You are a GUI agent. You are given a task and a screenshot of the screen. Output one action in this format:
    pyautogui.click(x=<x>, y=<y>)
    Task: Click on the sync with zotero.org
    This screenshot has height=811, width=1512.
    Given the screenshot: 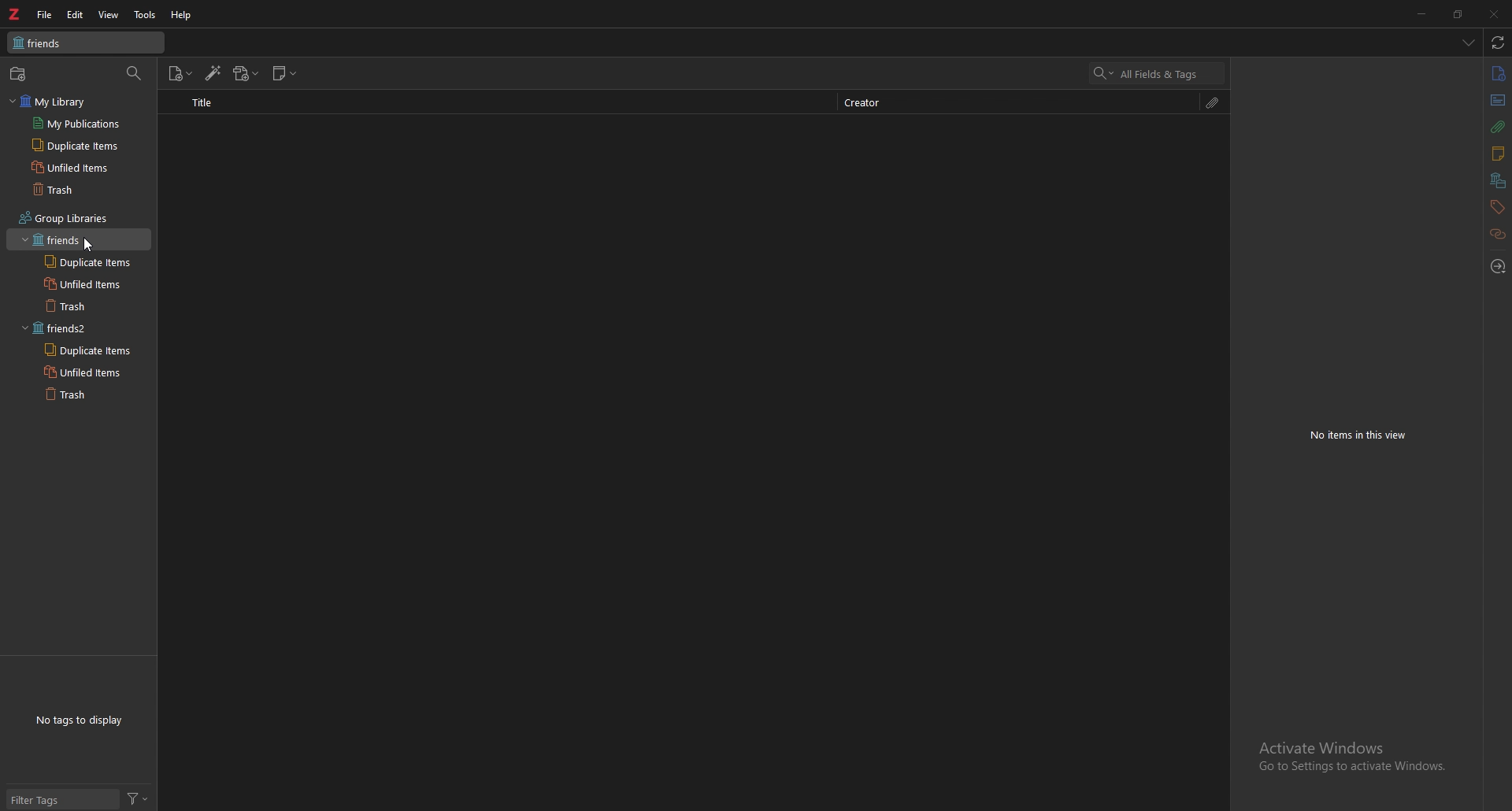 What is the action you would take?
    pyautogui.click(x=1499, y=43)
    